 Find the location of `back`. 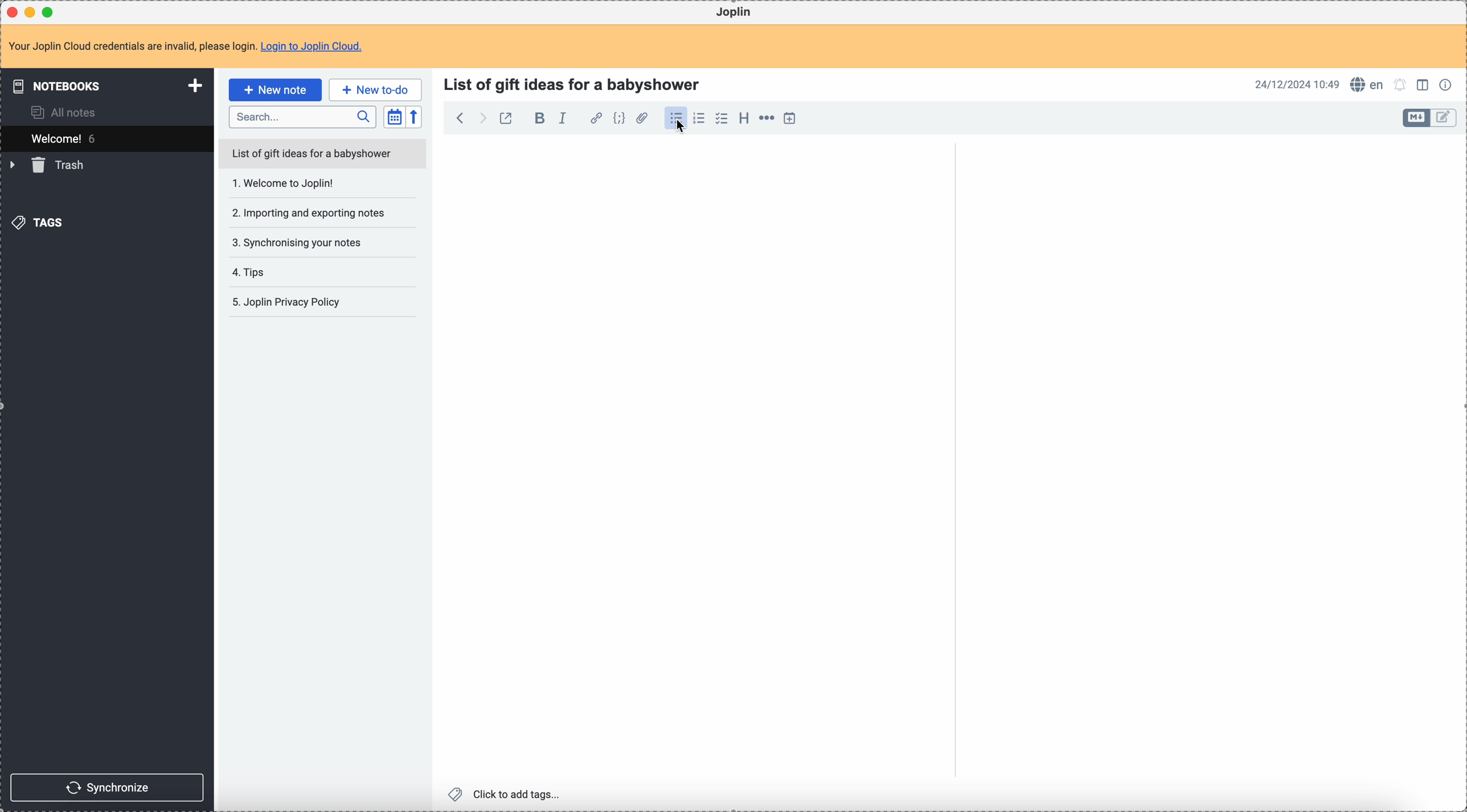

back is located at coordinates (461, 118).